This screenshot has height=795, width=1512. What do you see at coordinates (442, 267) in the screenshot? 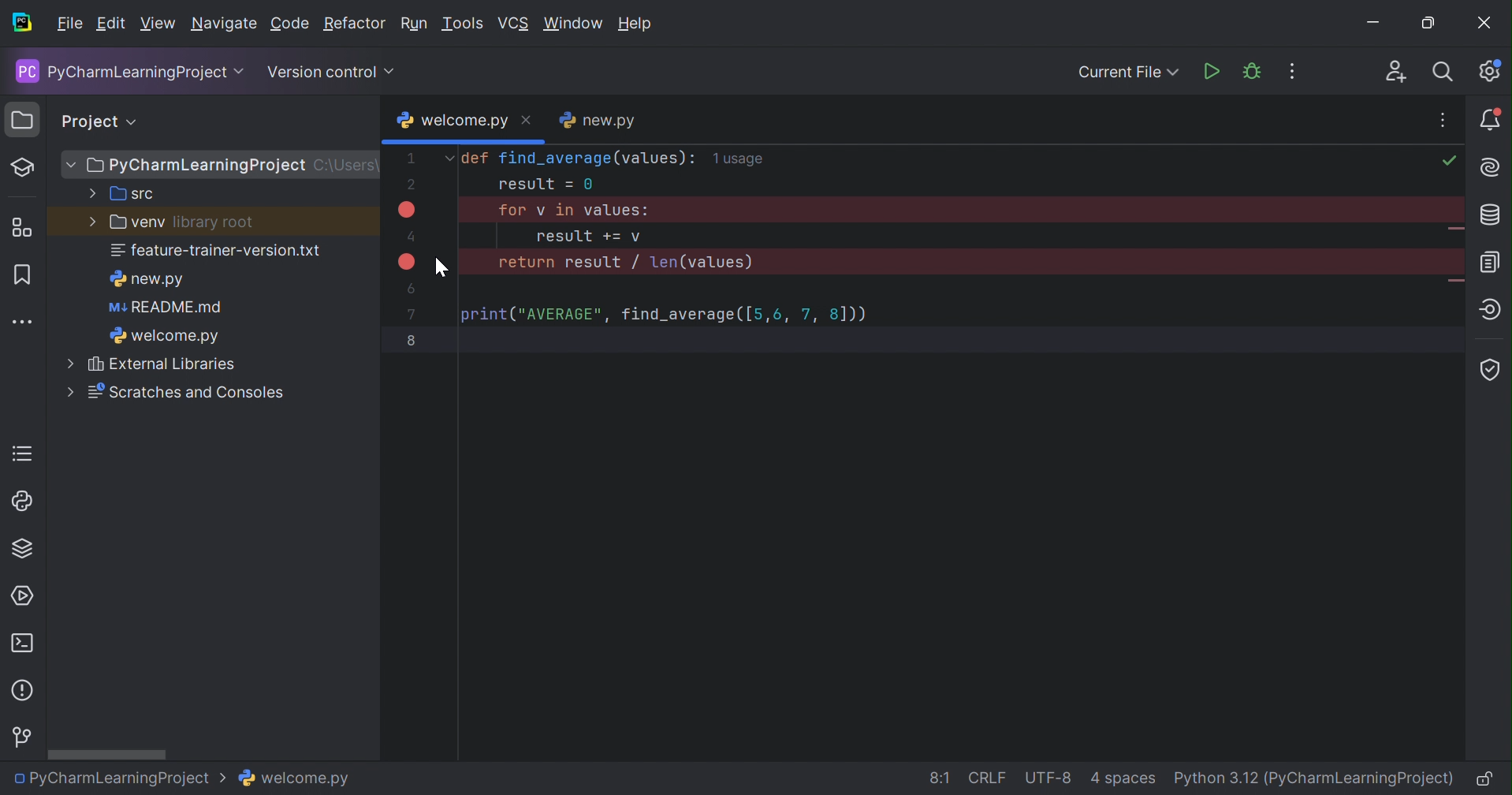
I see `Cursor` at bounding box center [442, 267].